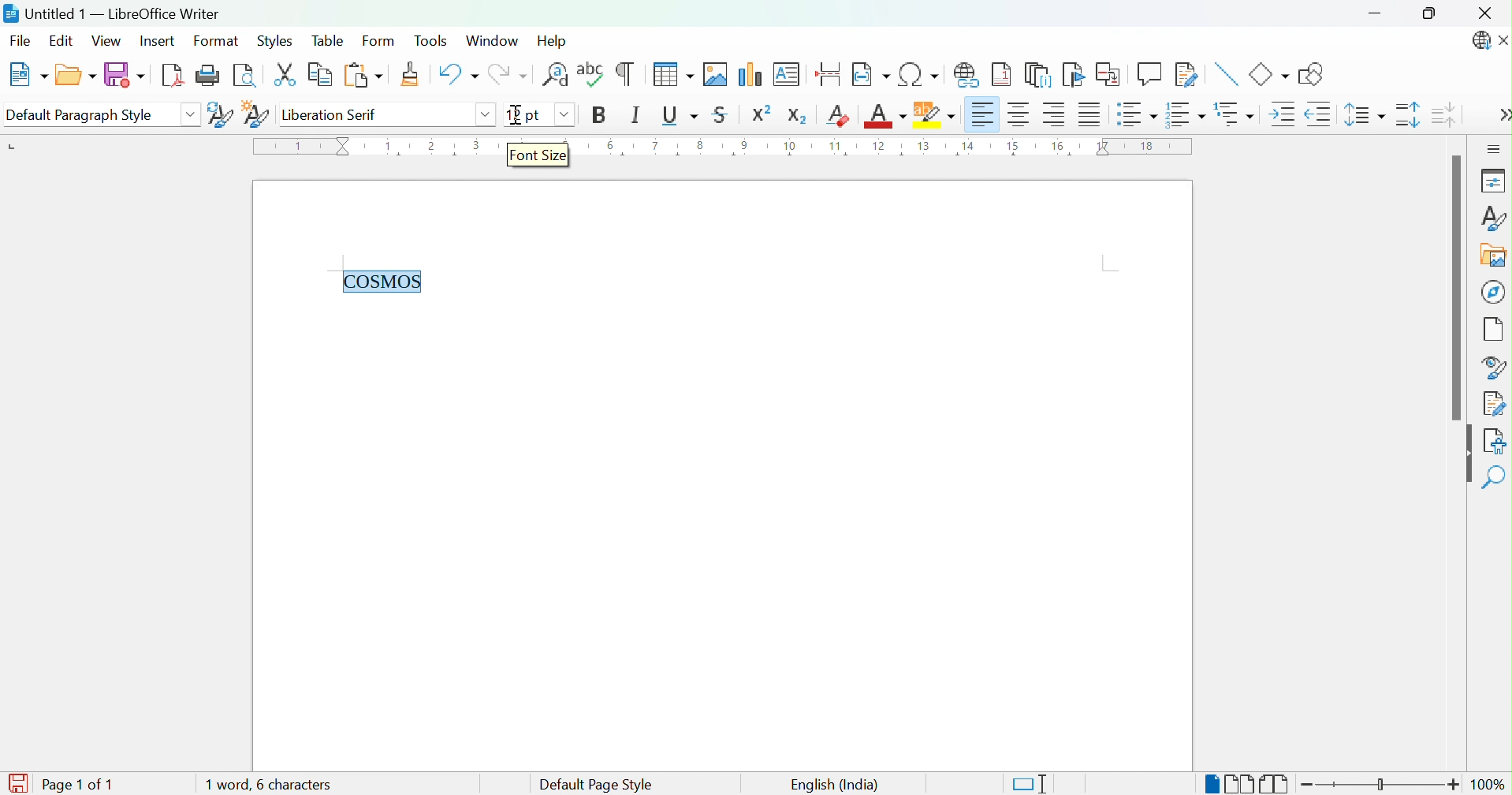  I want to click on Character Highlighting Color, so click(932, 114).